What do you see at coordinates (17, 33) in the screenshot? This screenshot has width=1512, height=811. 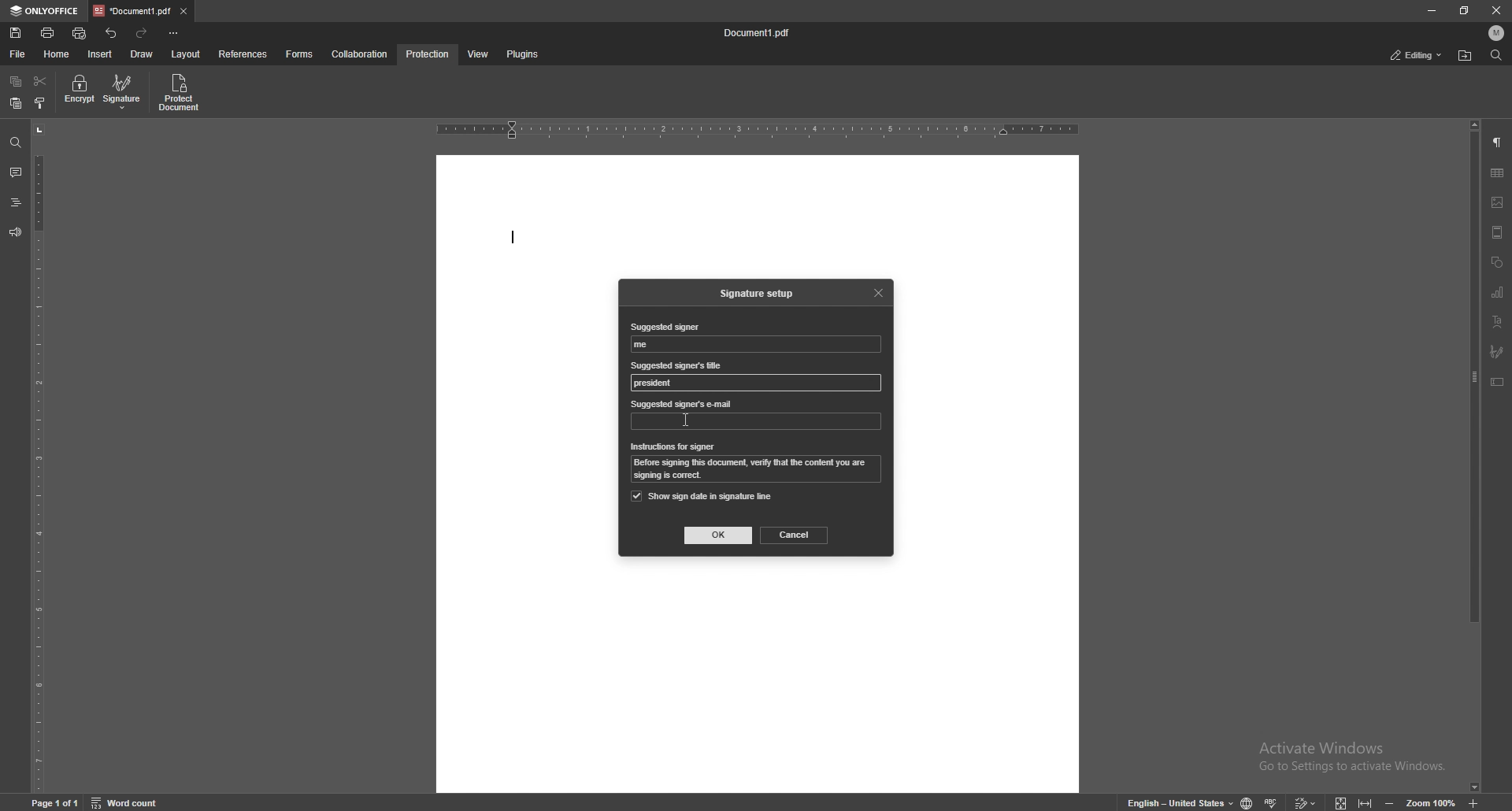 I see `save` at bounding box center [17, 33].